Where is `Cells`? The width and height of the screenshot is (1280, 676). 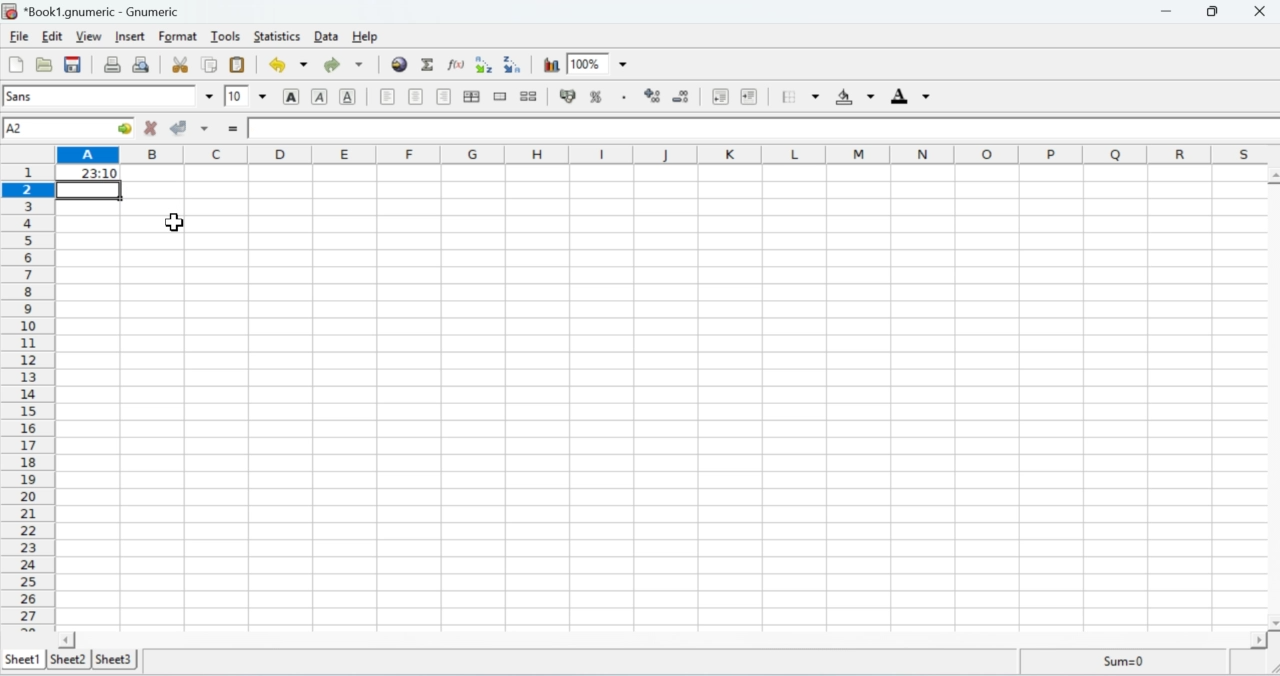 Cells is located at coordinates (688, 397).